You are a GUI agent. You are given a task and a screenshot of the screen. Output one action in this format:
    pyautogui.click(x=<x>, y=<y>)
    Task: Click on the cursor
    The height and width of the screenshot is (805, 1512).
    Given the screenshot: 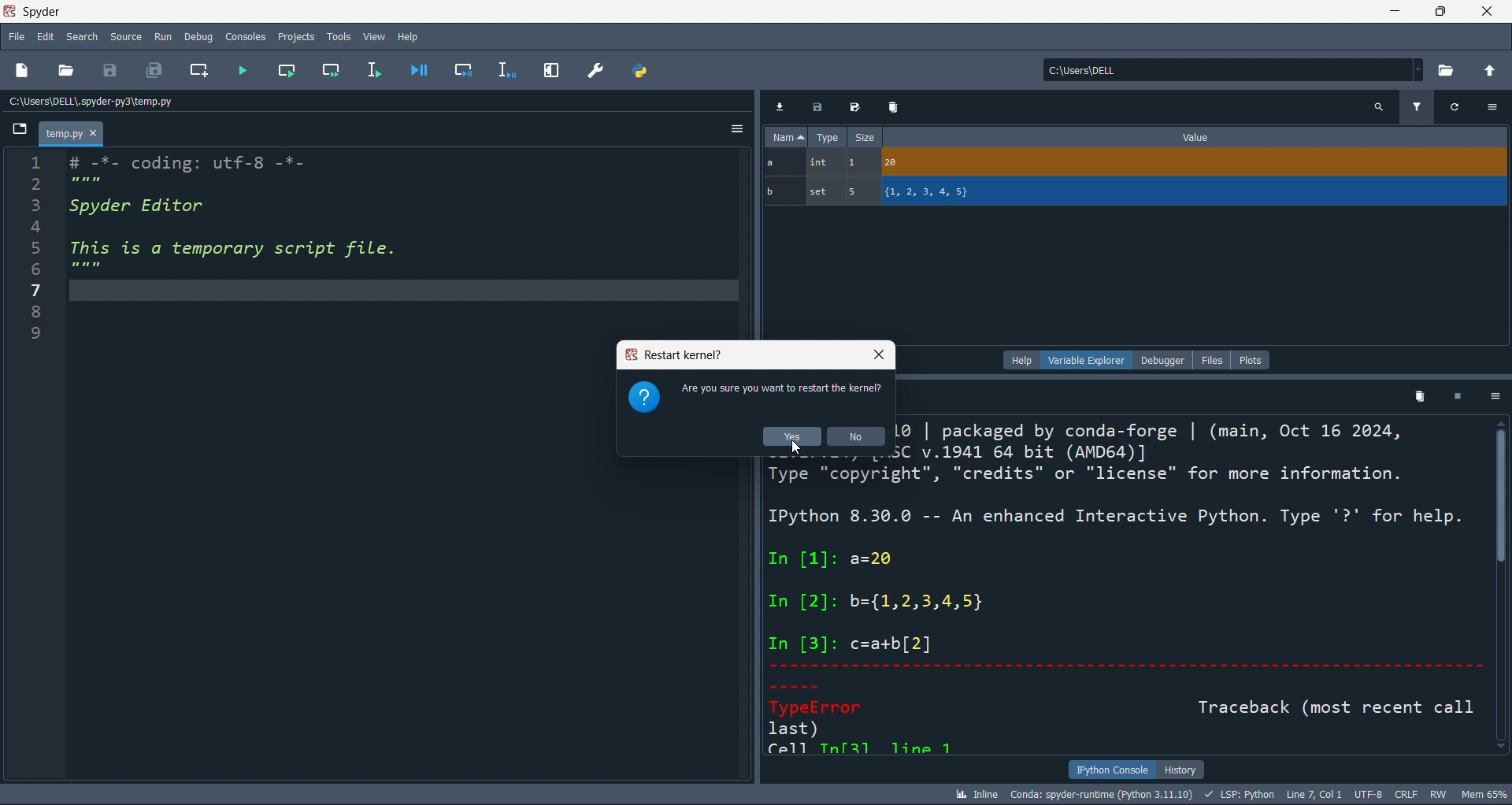 What is the action you would take?
    pyautogui.click(x=798, y=448)
    